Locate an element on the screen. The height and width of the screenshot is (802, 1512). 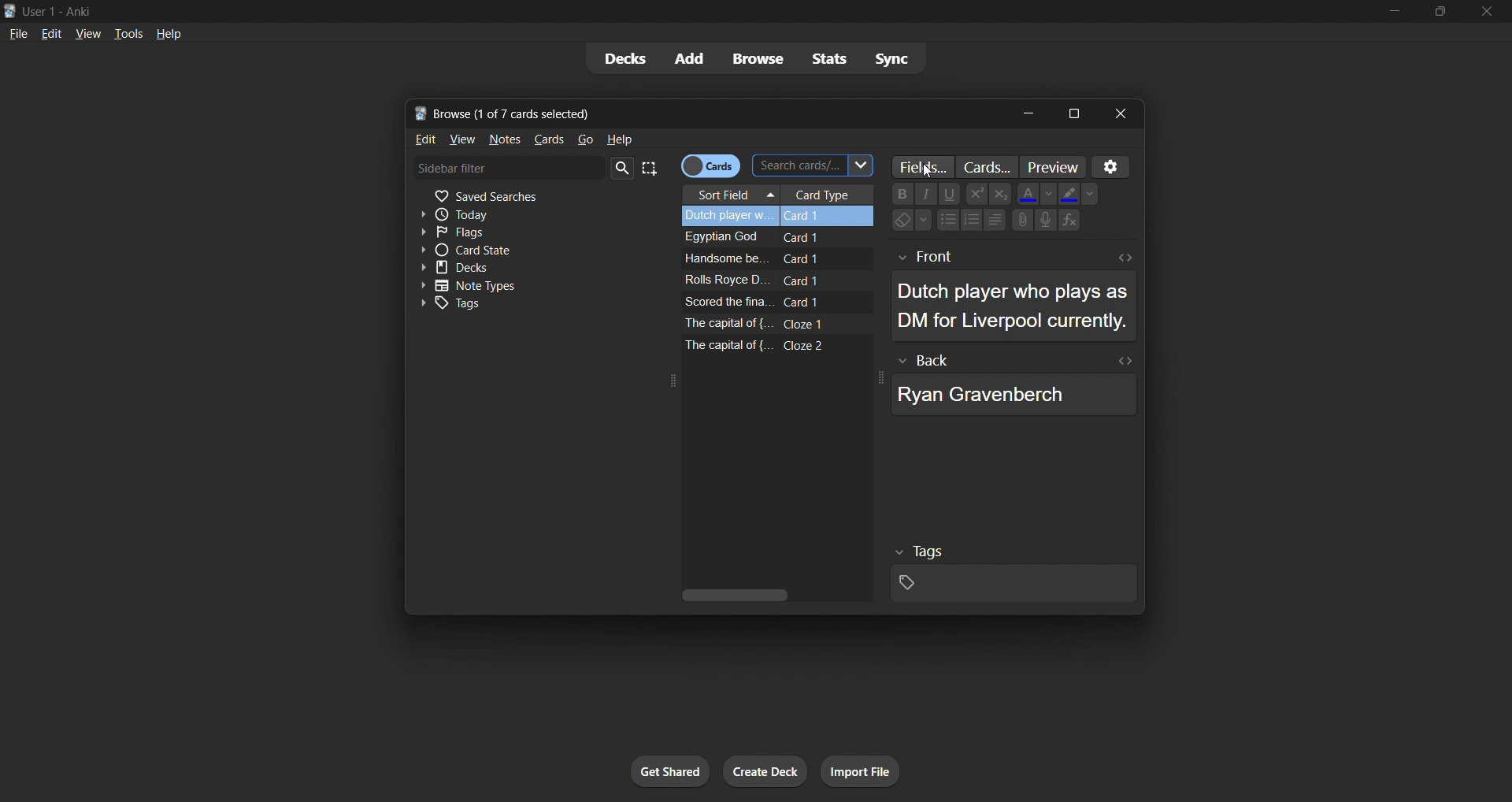
remaining card data is located at coordinates (774, 290).